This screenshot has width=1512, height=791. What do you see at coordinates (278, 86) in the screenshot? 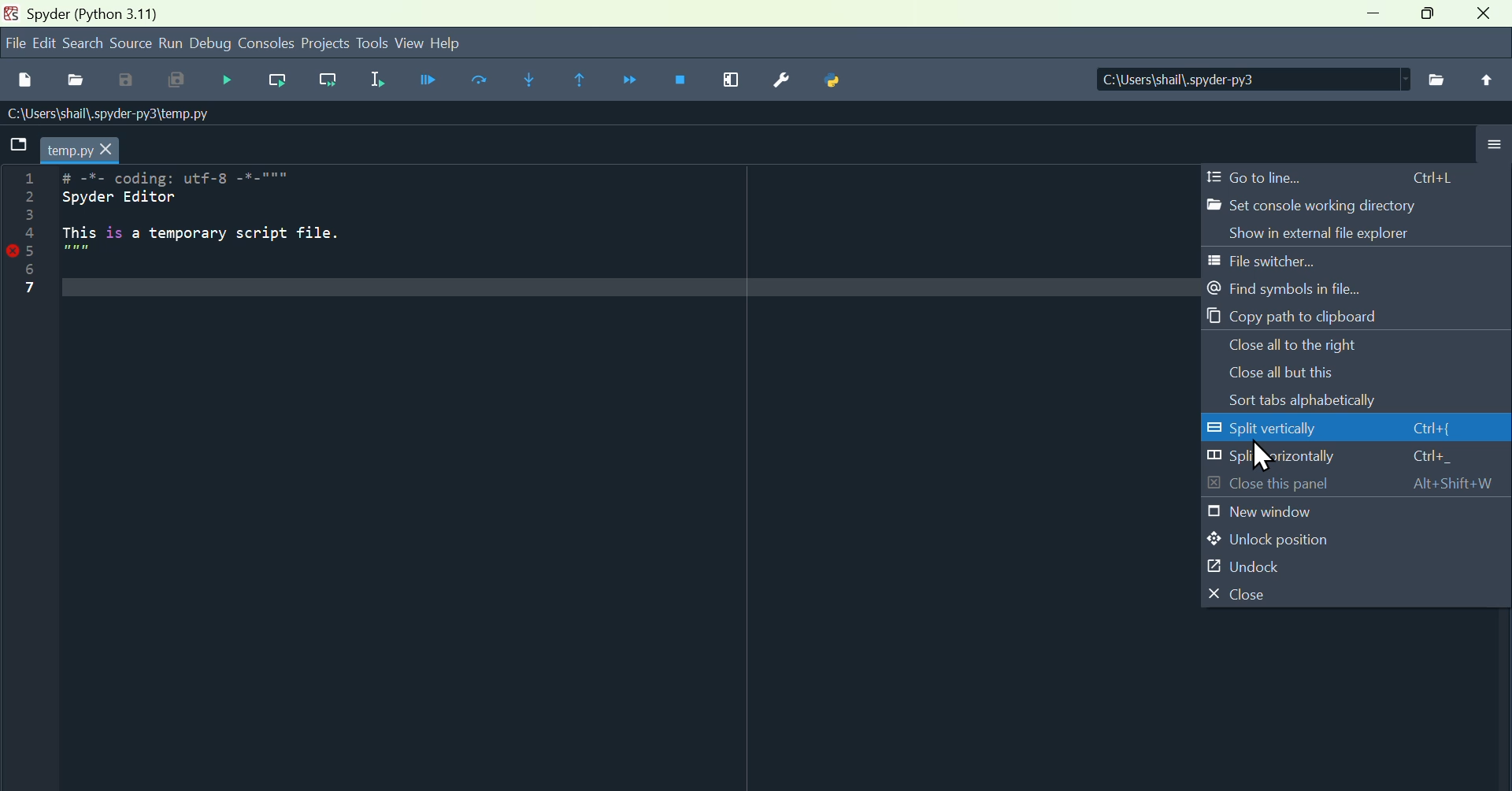
I see `Run current line` at bounding box center [278, 86].